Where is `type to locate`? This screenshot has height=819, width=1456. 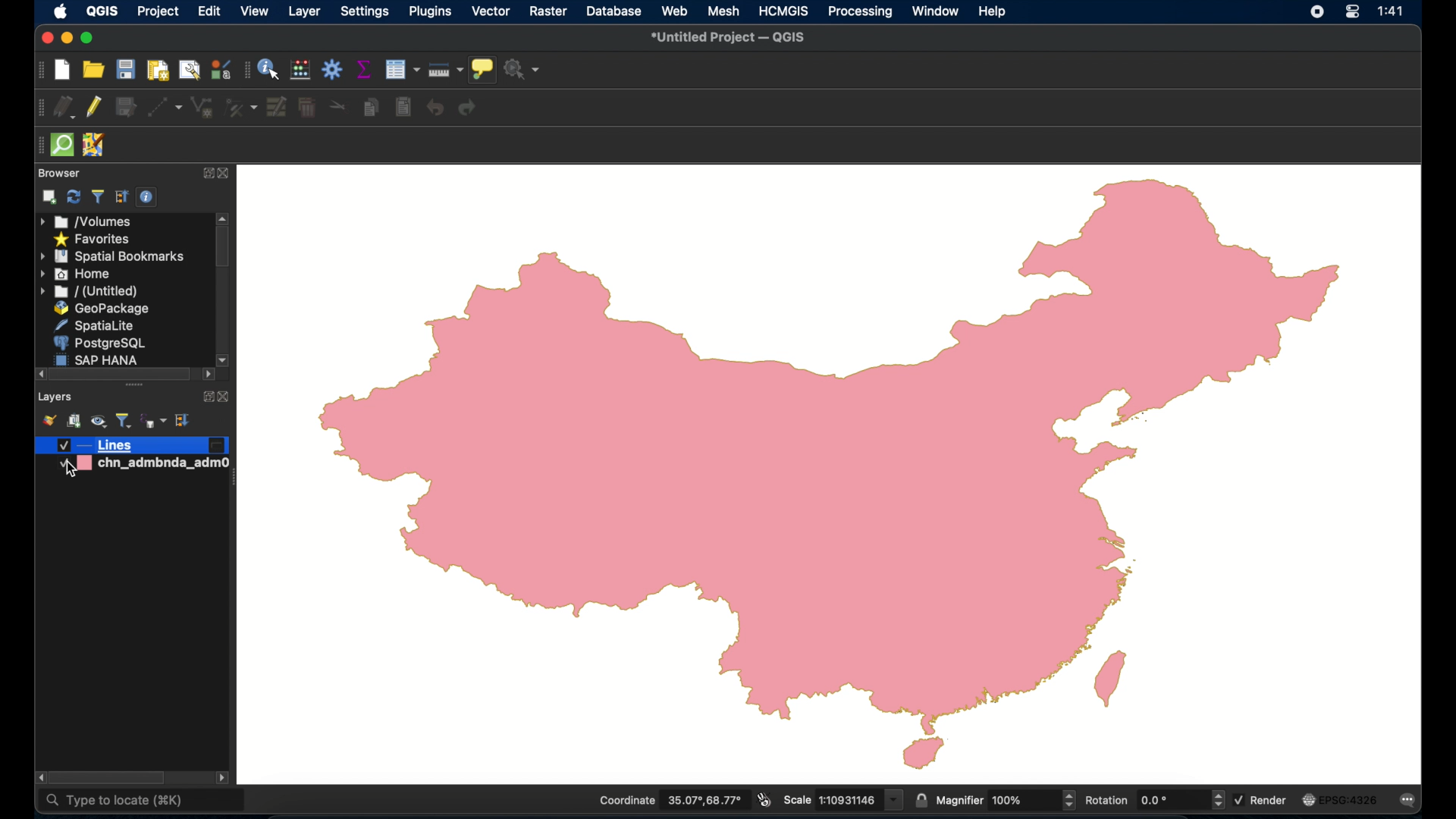
type to locate is located at coordinates (114, 803).